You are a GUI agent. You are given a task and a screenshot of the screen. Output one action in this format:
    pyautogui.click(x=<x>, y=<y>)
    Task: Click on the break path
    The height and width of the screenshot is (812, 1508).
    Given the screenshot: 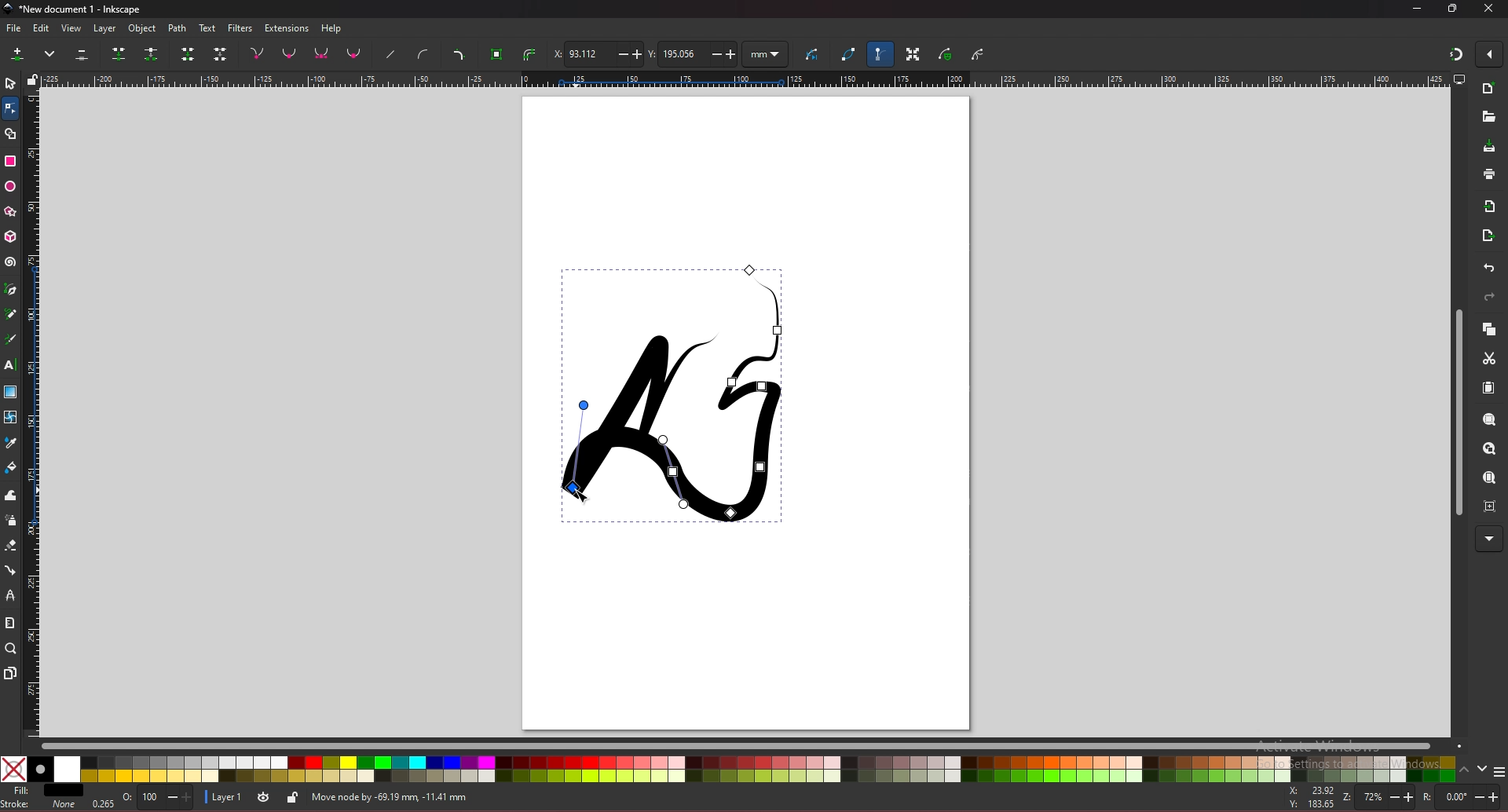 What is the action you would take?
    pyautogui.click(x=151, y=53)
    